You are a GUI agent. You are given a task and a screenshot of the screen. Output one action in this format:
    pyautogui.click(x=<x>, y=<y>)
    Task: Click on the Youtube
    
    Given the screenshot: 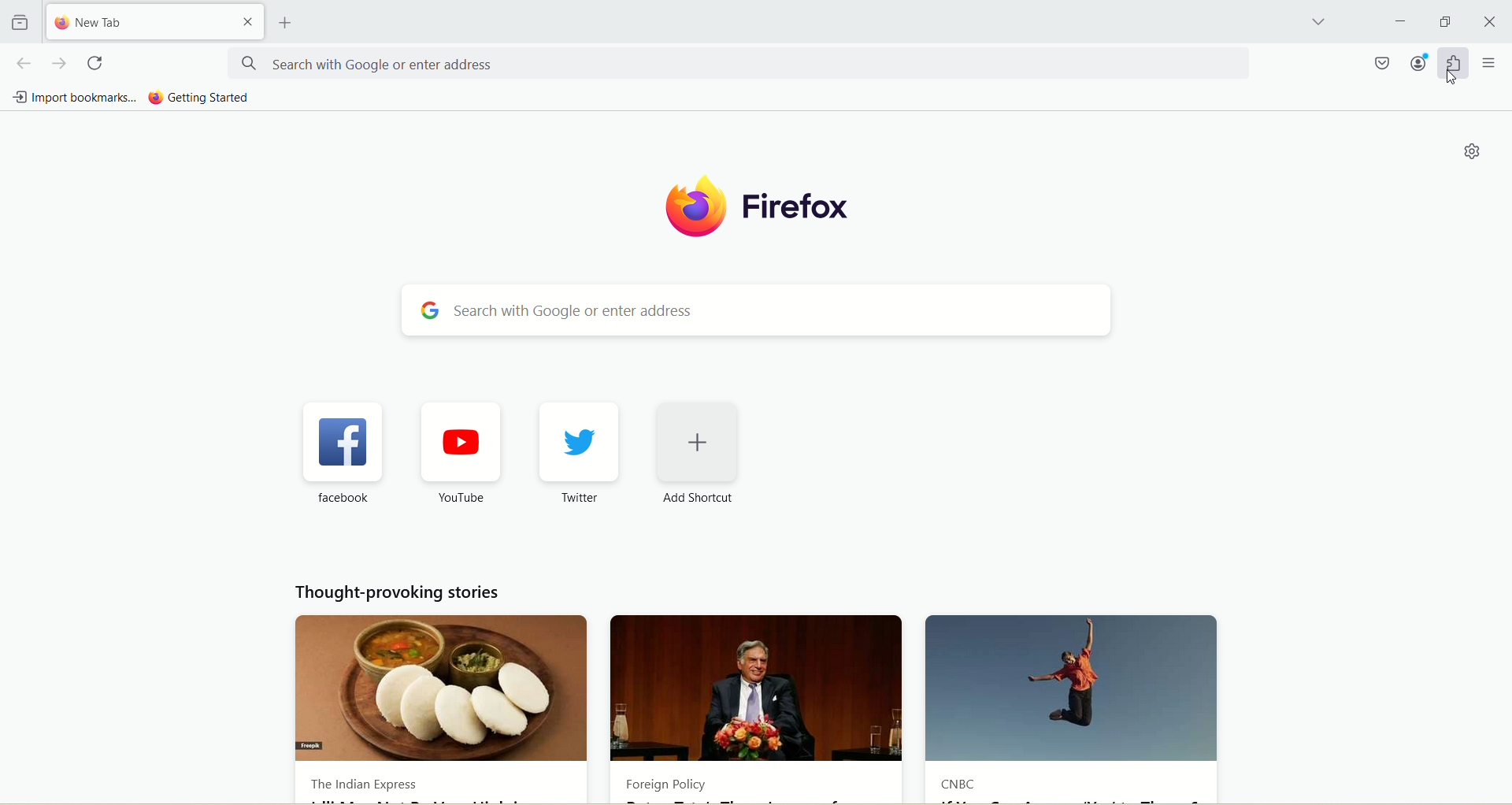 What is the action you would take?
    pyautogui.click(x=454, y=455)
    